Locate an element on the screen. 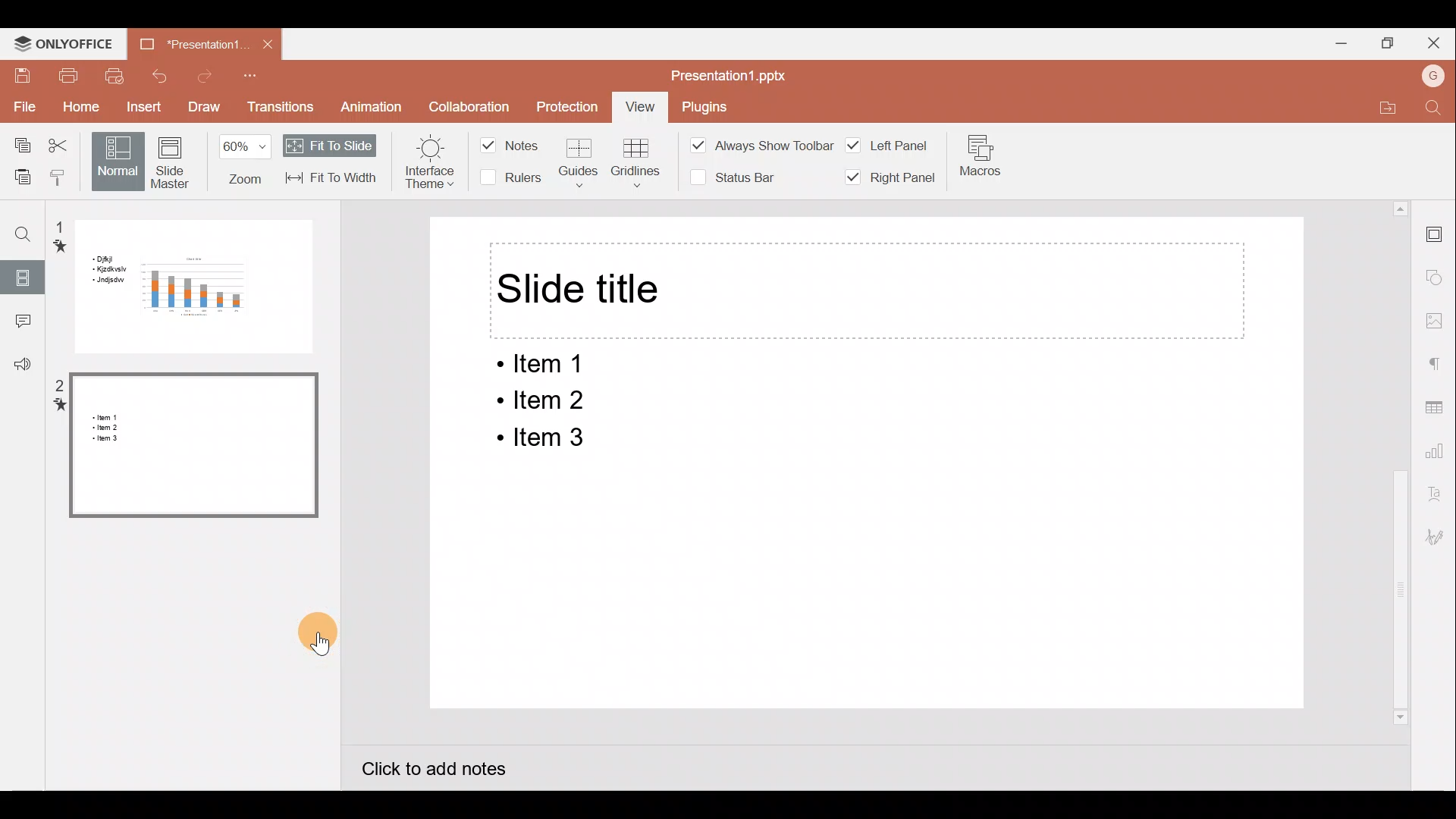 The width and height of the screenshot is (1456, 819). Left panel is located at coordinates (890, 144).